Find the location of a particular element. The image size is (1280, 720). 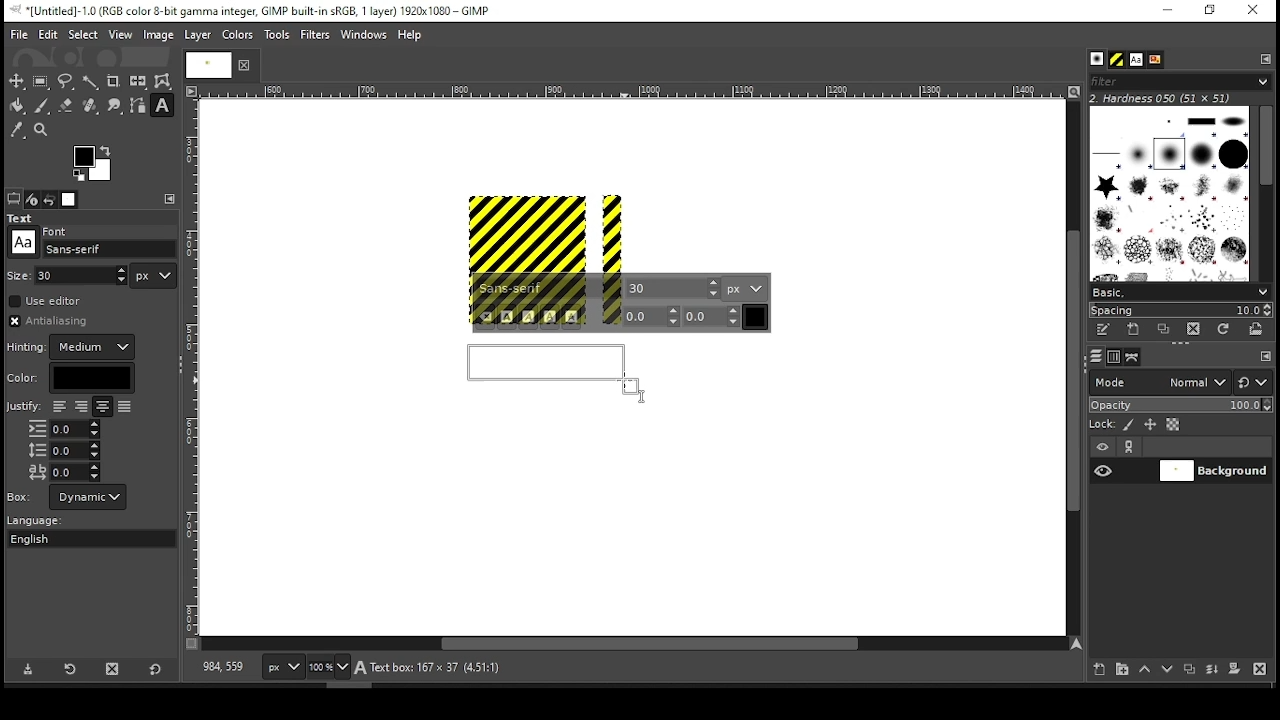

select brush preset is located at coordinates (1182, 291).